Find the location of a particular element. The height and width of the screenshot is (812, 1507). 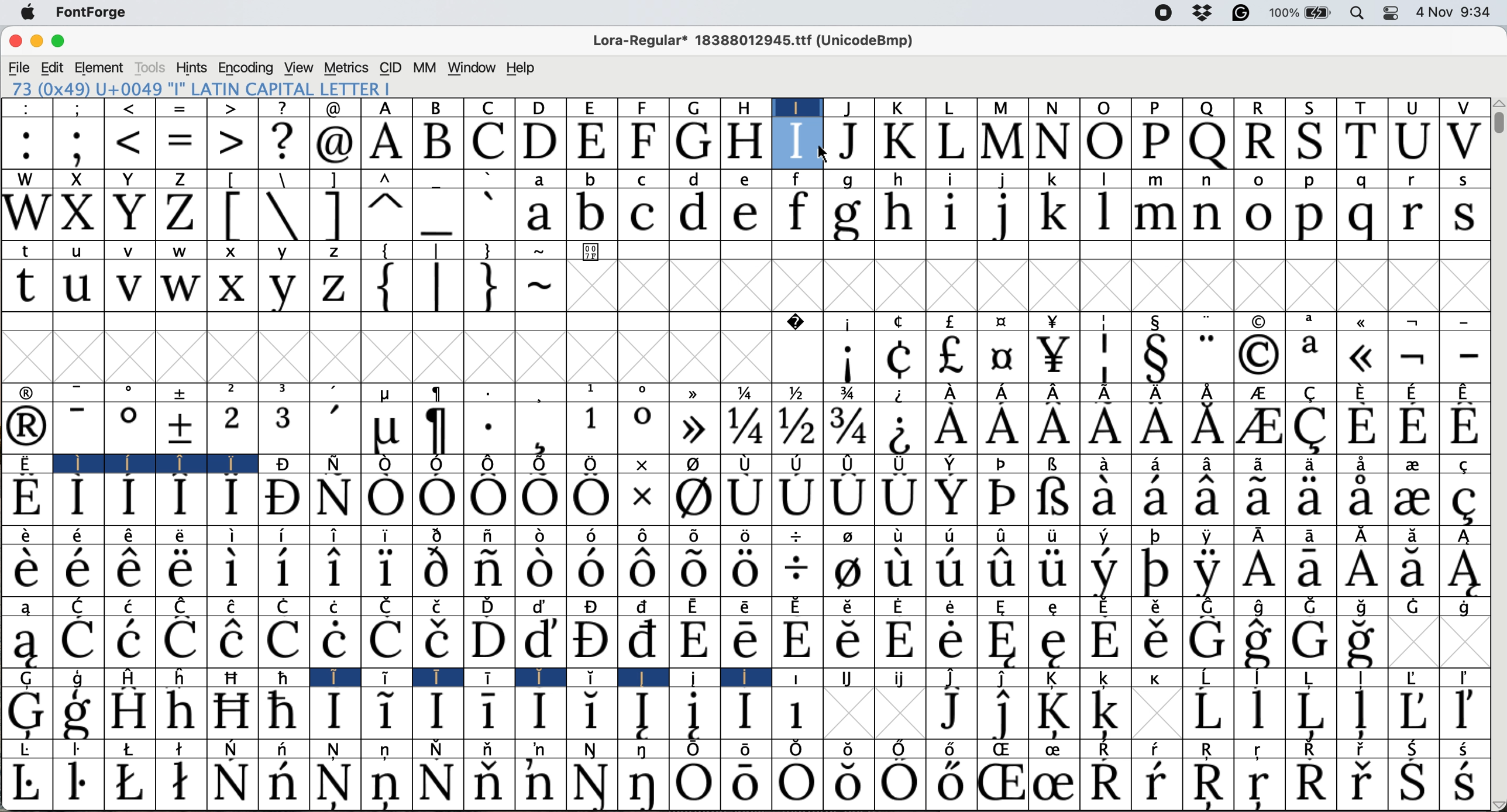

Symbol is located at coordinates (438, 639).